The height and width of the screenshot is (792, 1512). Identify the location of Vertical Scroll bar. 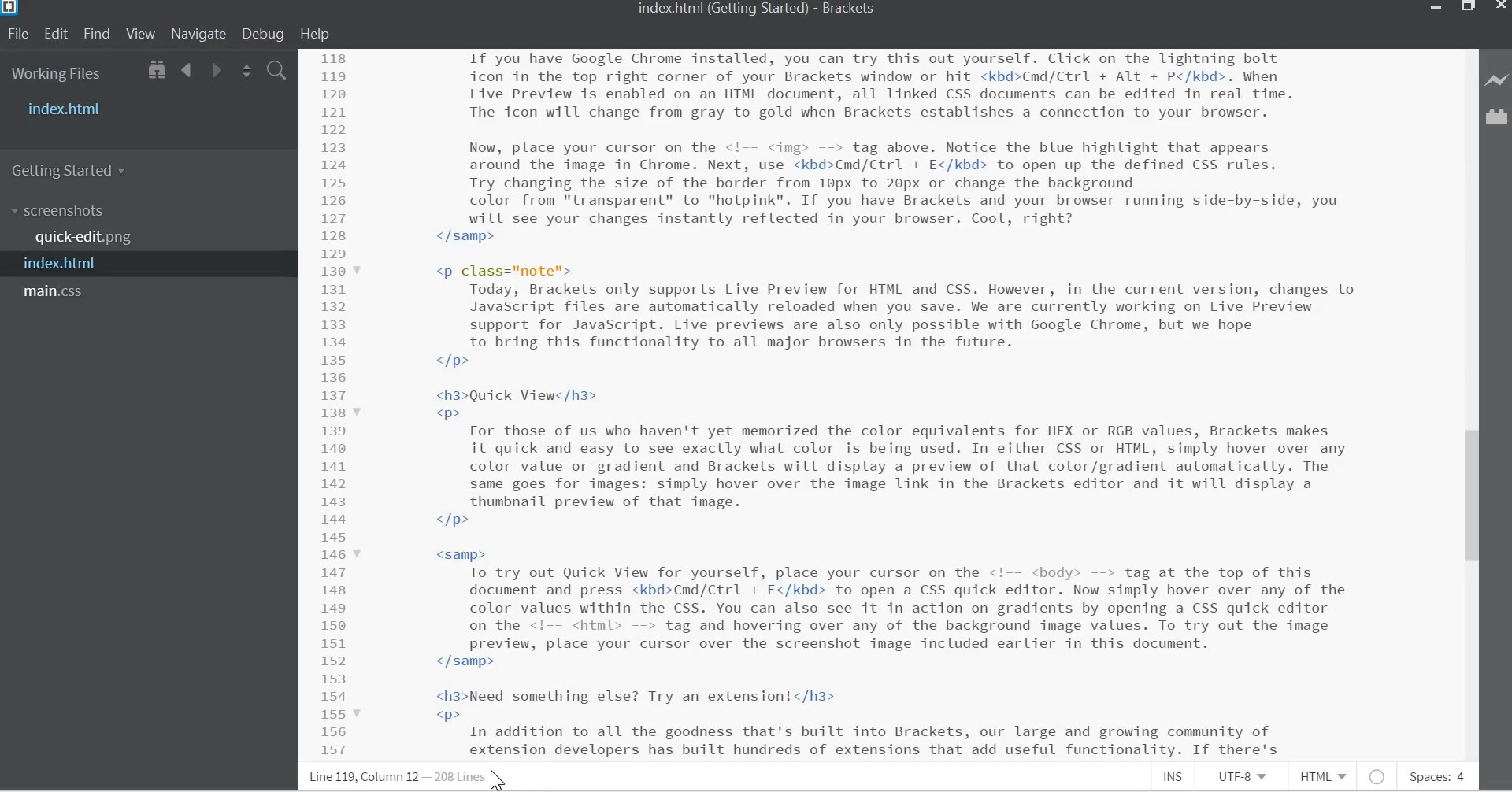
(1472, 494).